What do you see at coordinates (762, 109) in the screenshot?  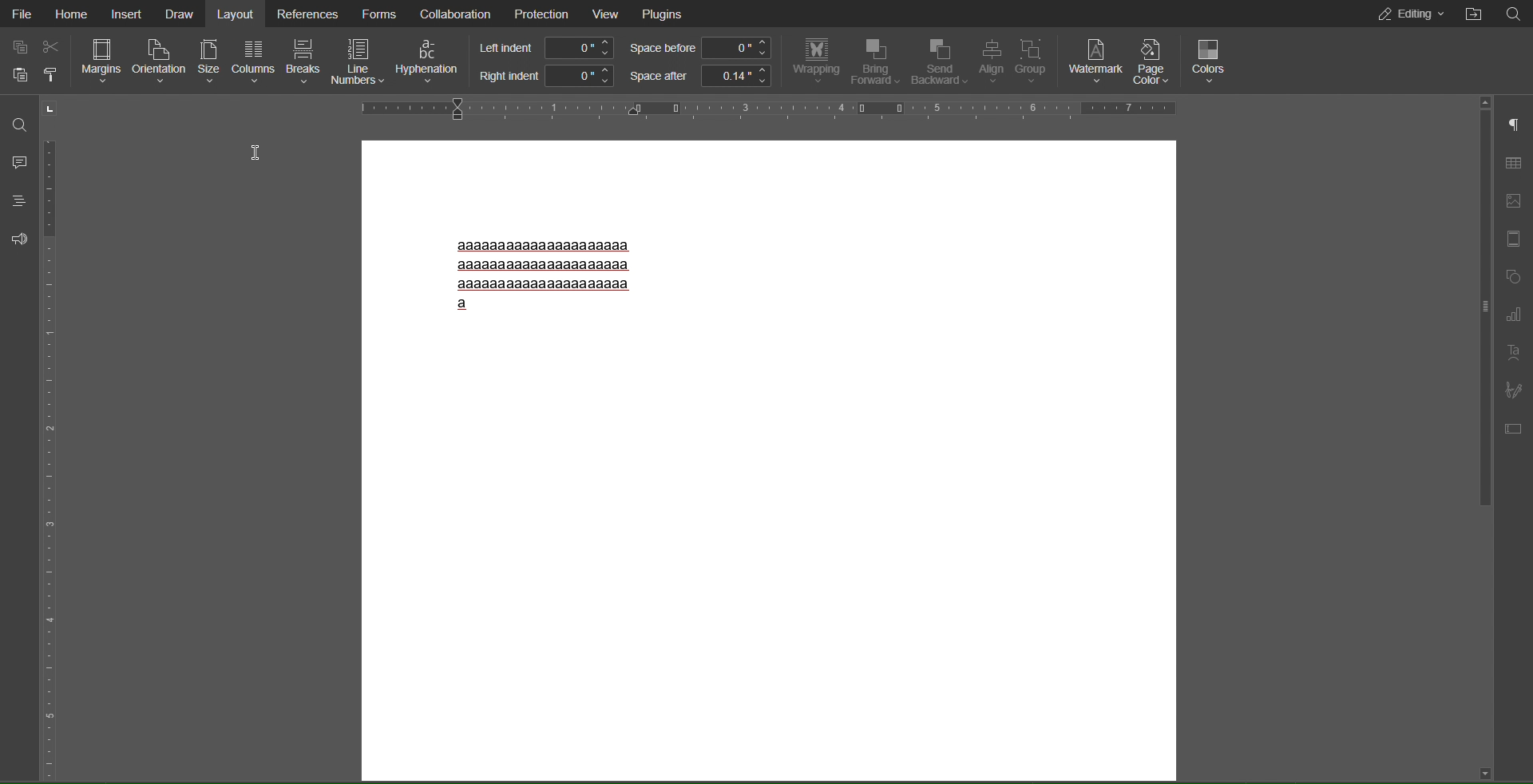 I see `Horizontal Ruler` at bounding box center [762, 109].